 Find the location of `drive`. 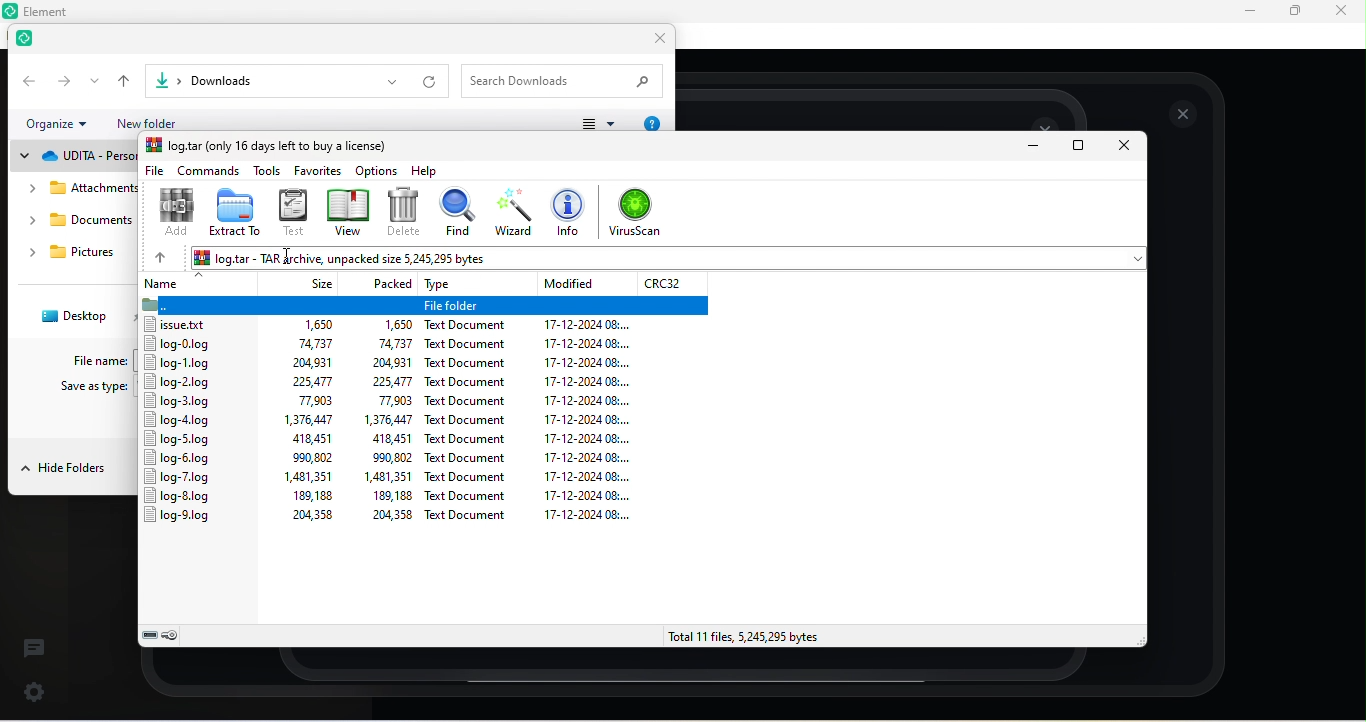

drive is located at coordinates (149, 632).